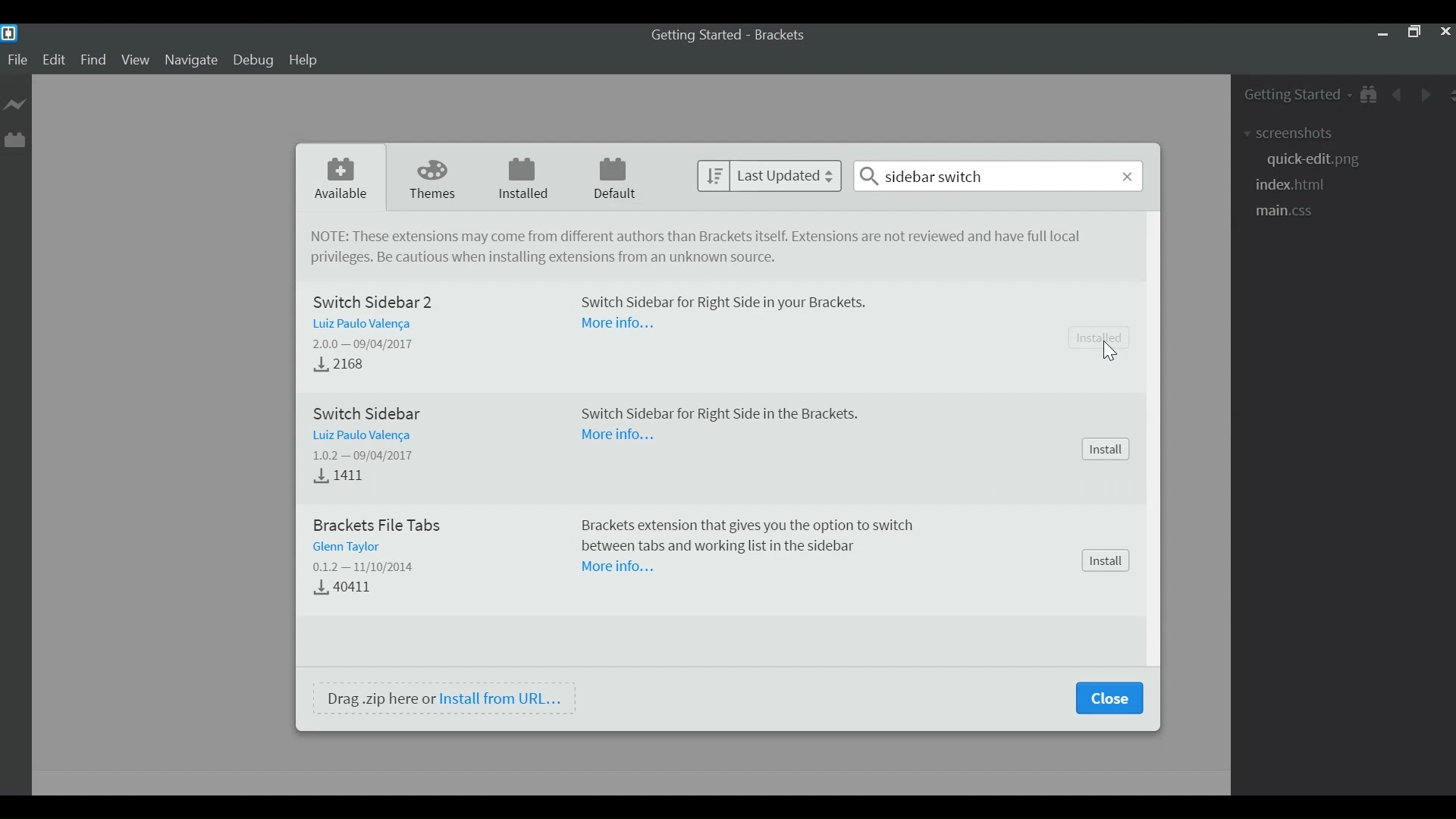 The image size is (1456, 819). What do you see at coordinates (369, 324) in the screenshot?
I see `Author` at bounding box center [369, 324].